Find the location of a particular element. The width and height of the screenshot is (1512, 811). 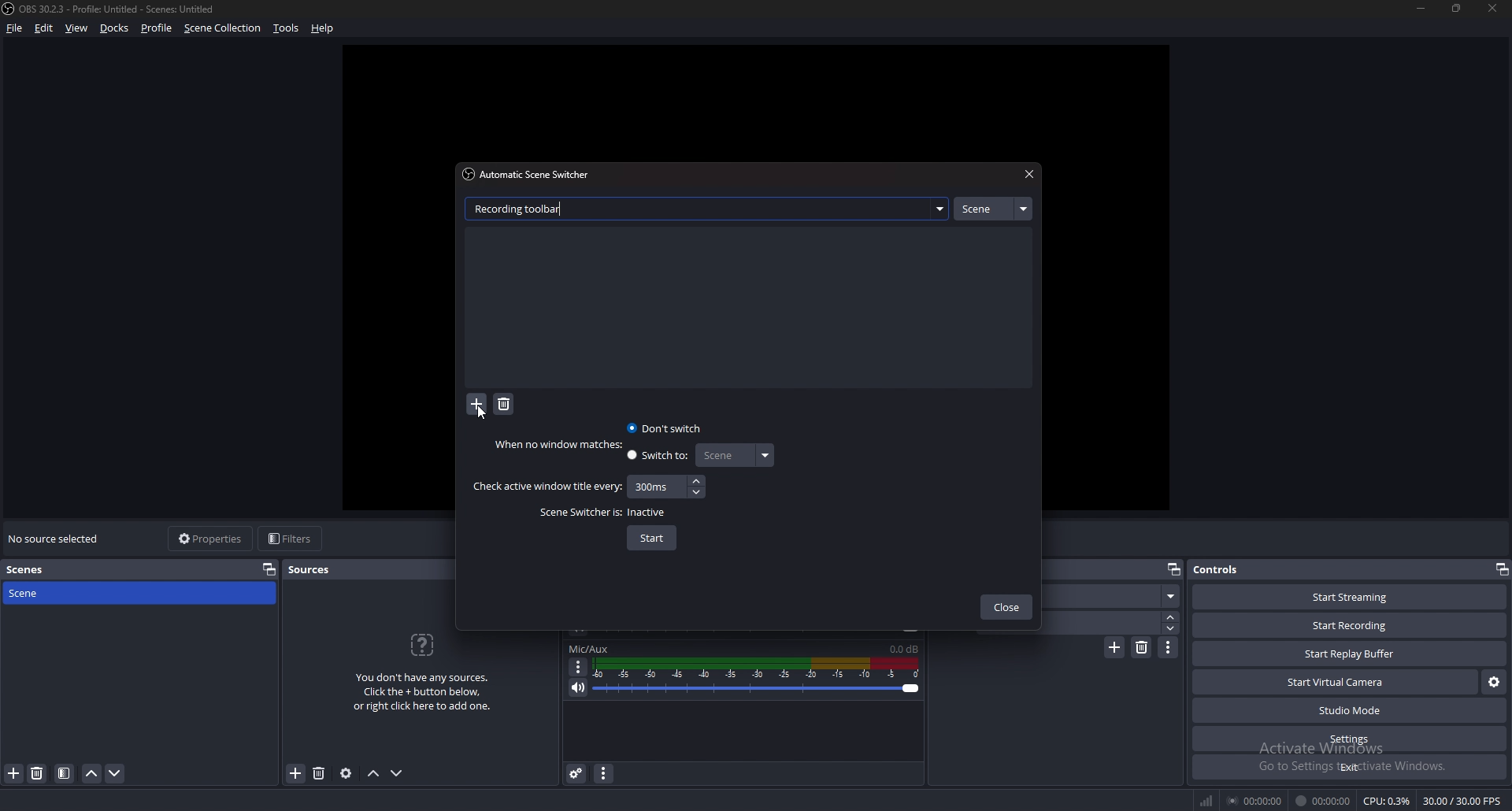

when no window matches is located at coordinates (562, 444).